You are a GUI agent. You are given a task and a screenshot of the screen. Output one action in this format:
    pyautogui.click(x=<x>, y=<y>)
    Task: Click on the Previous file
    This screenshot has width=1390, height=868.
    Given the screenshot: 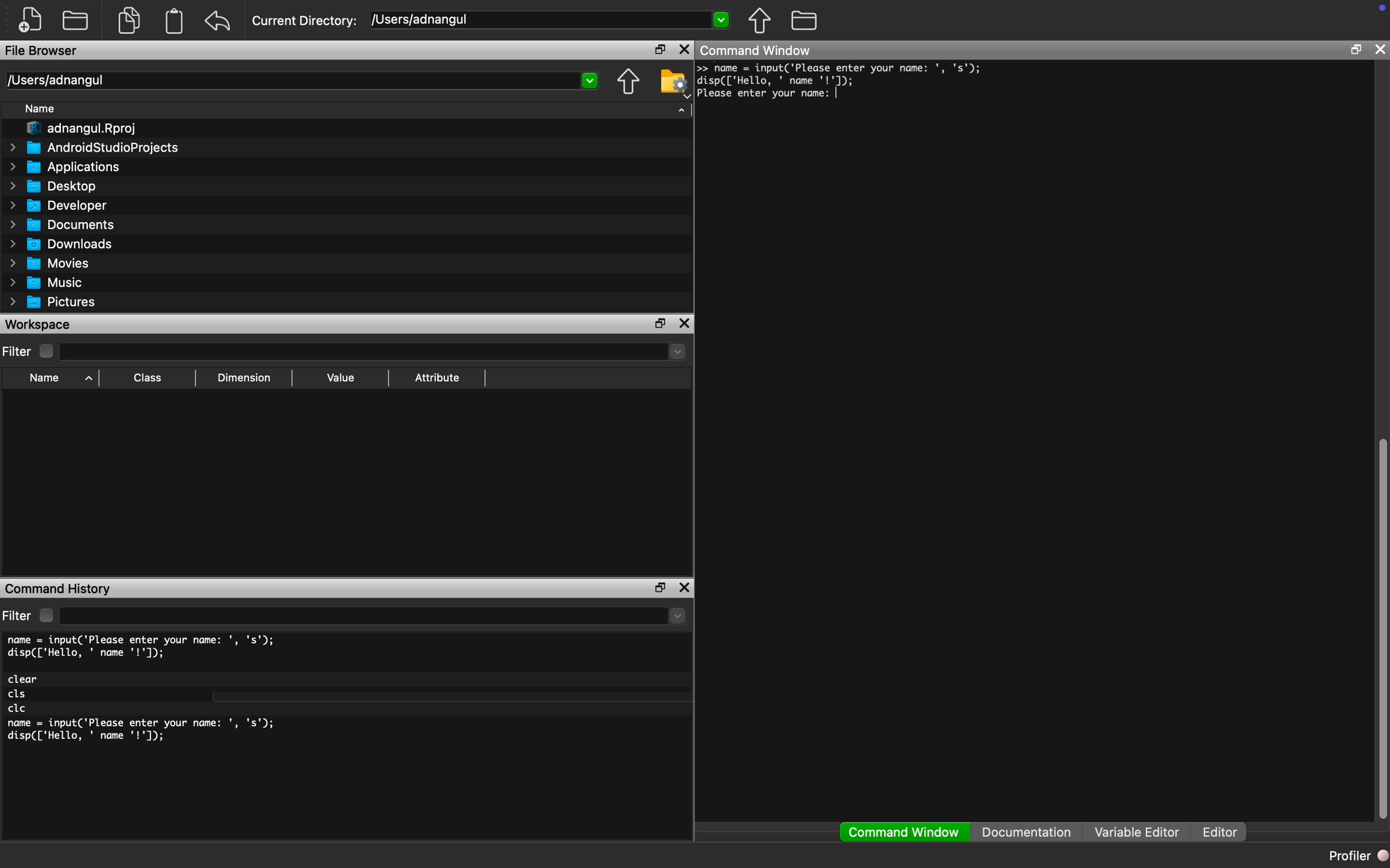 What is the action you would take?
    pyautogui.click(x=628, y=82)
    